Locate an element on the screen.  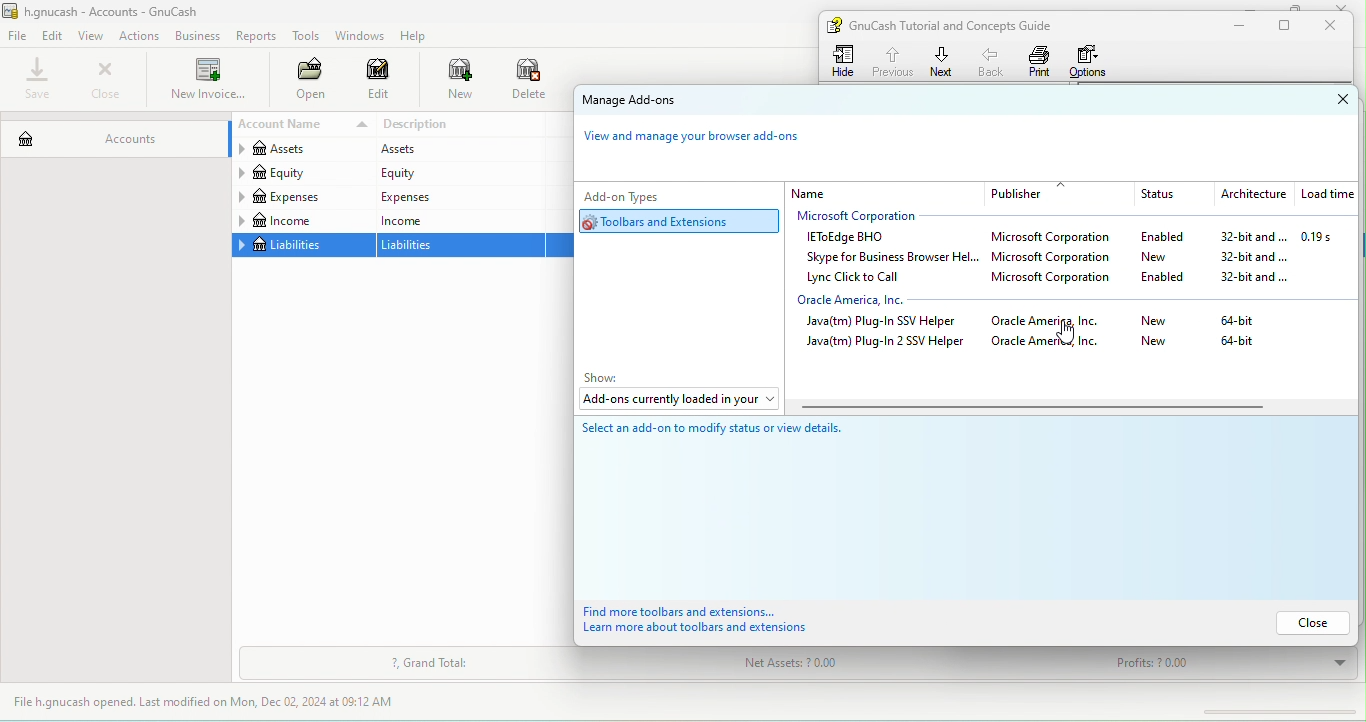
manage add ons  is located at coordinates (651, 102).